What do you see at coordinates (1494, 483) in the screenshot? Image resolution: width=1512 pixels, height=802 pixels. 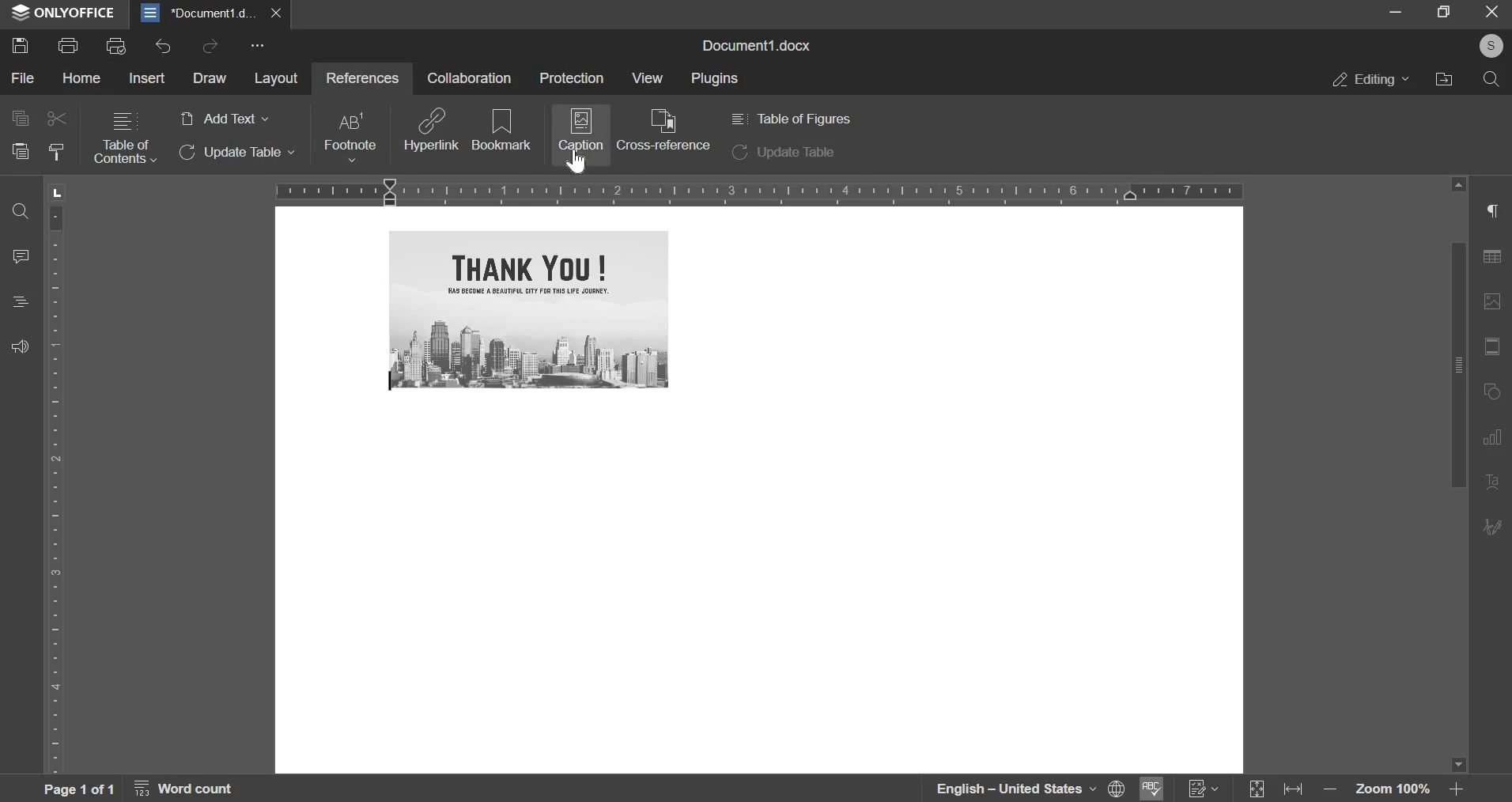 I see `Text` at bounding box center [1494, 483].